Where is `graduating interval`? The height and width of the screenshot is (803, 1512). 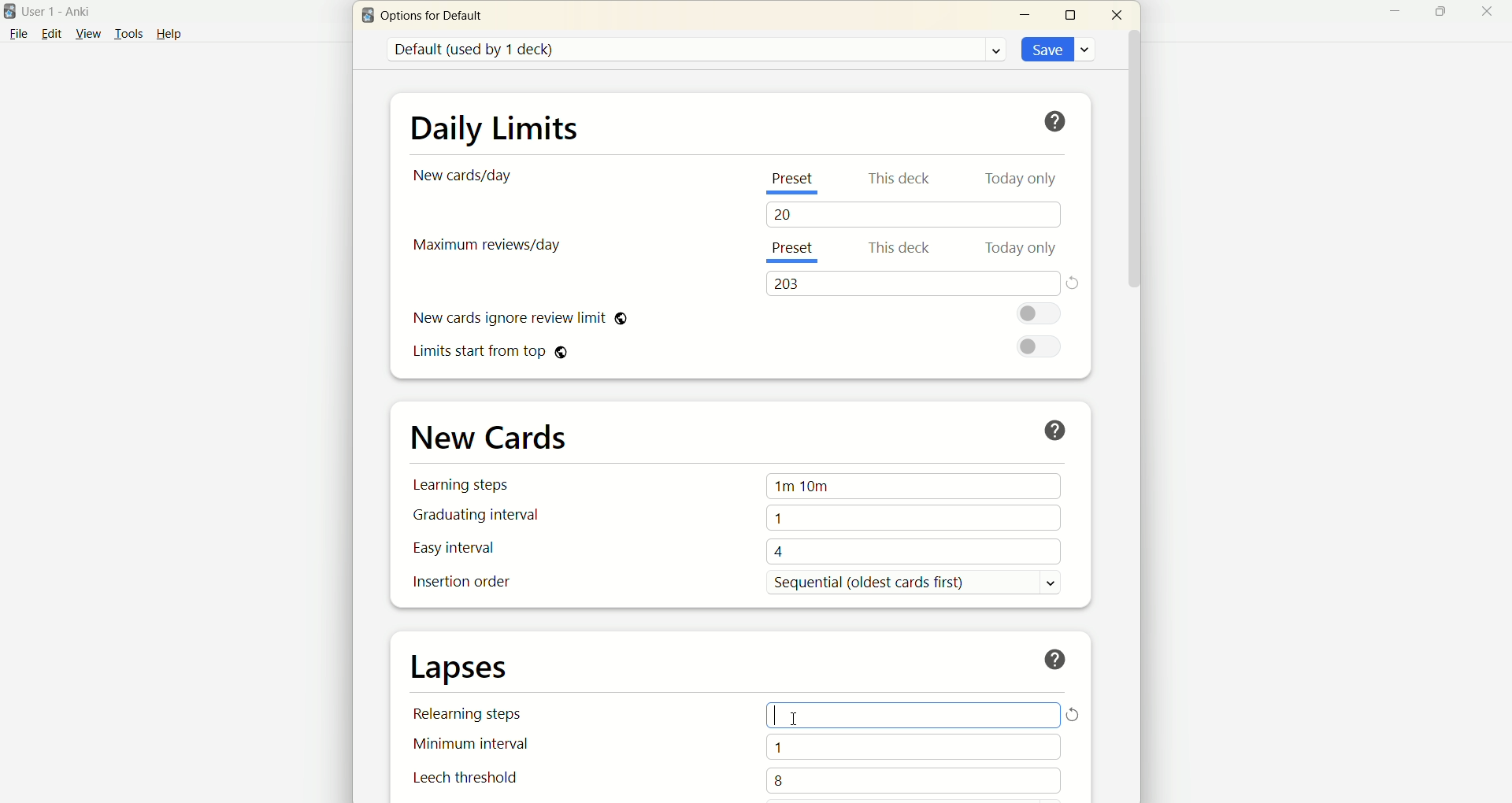
graduating interval is located at coordinates (473, 516).